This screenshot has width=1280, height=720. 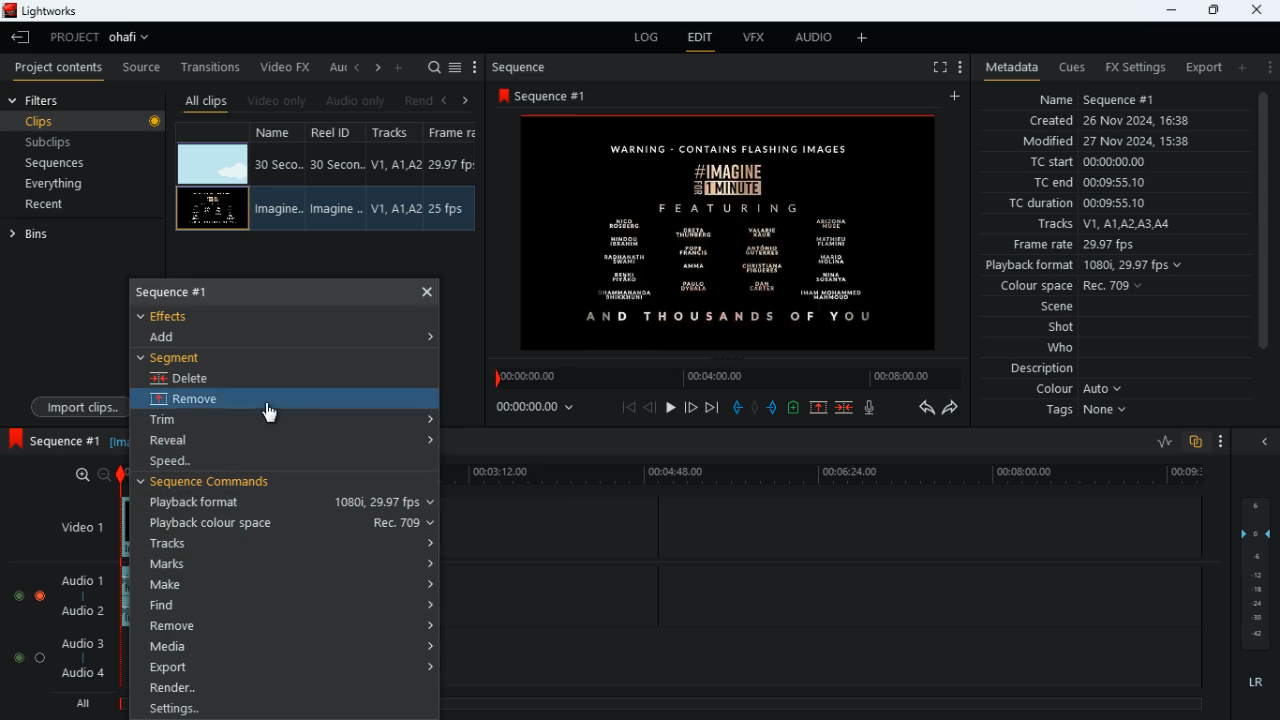 I want to click on backwards, so click(x=925, y=408).